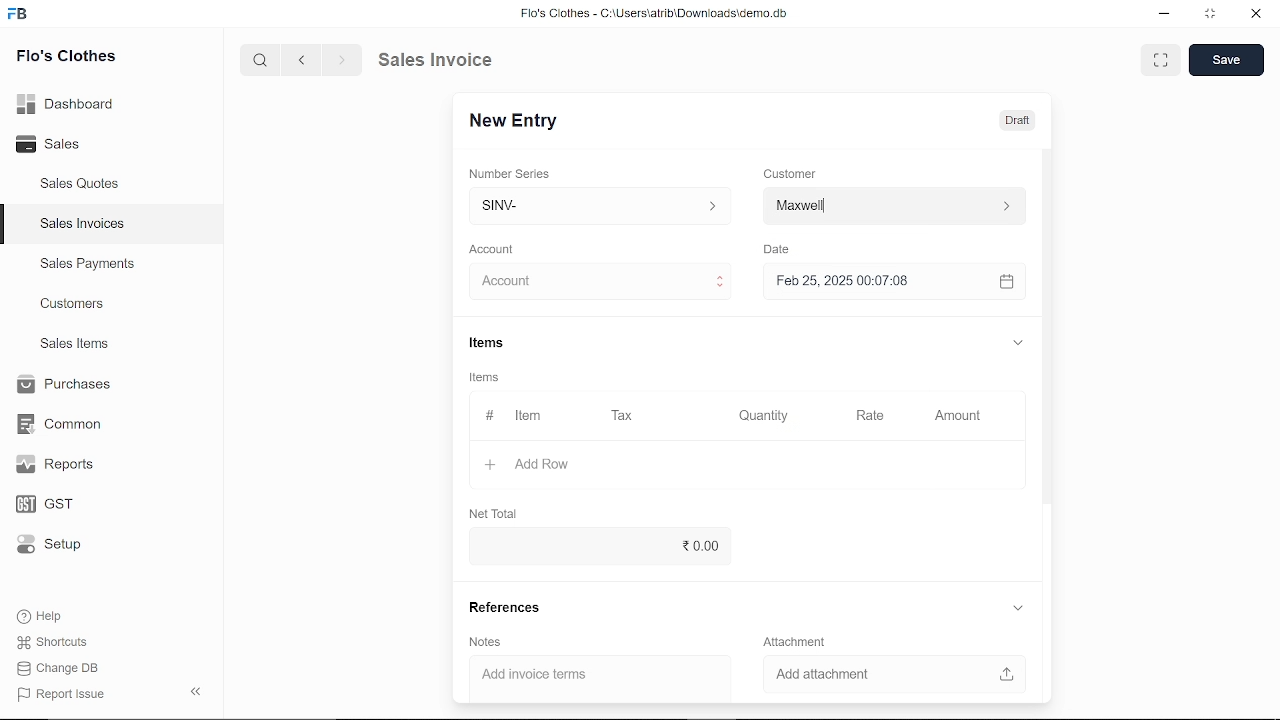  Describe the element at coordinates (1254, 14) in the screenshot. I see `close` at that location.